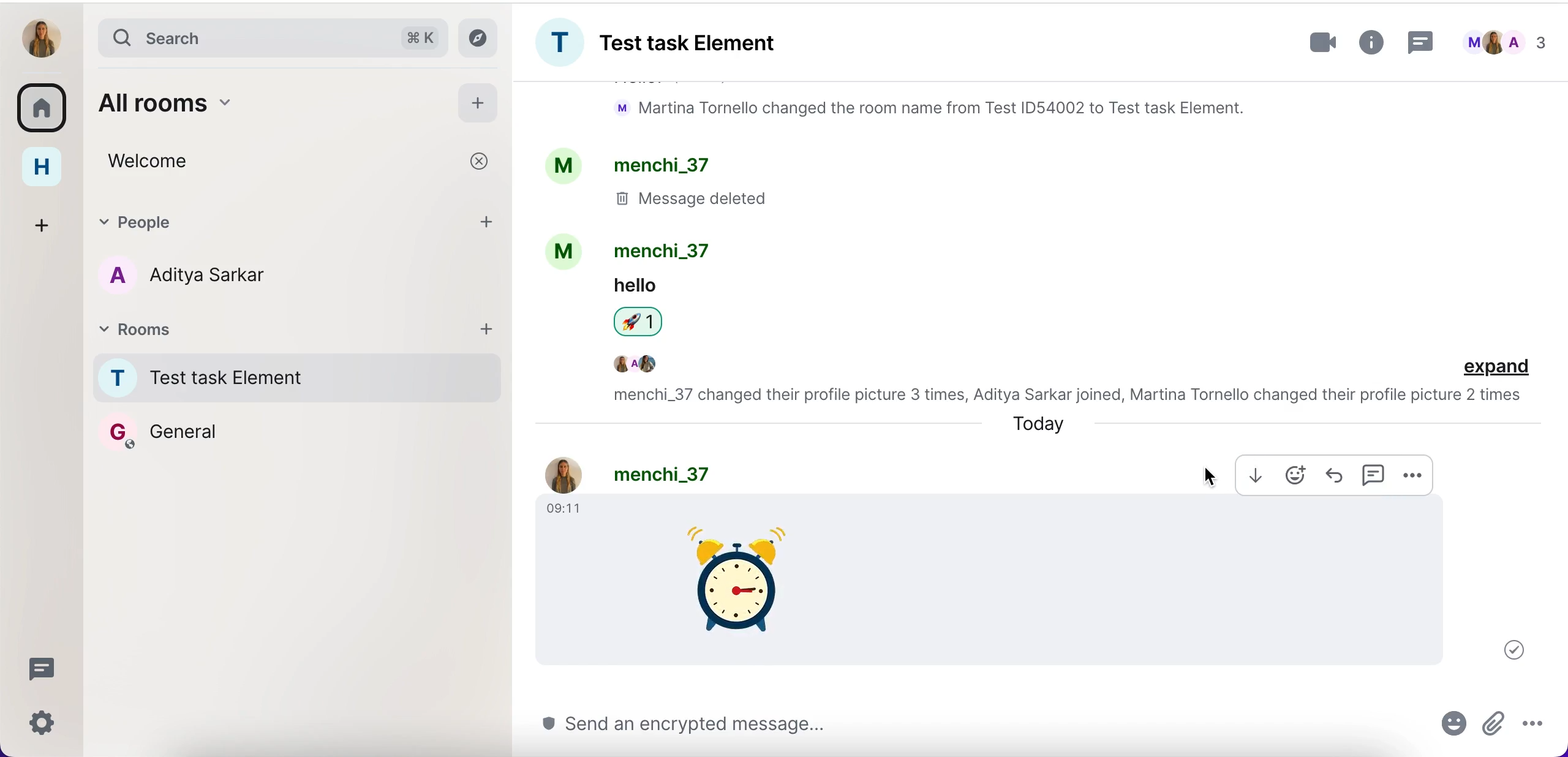 The height and width of the screenshot is (757, 1568). Describe the element at coordinates (1038, 424) in the screenshot. I see `today` at that location.